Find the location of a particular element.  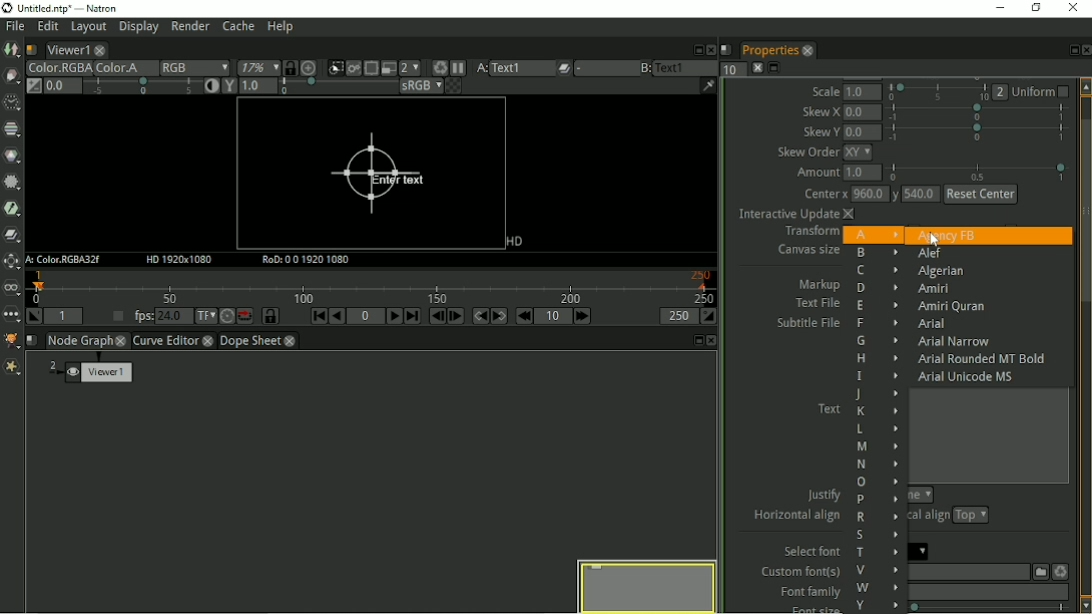

text1 is located at coordinates (522, 68).